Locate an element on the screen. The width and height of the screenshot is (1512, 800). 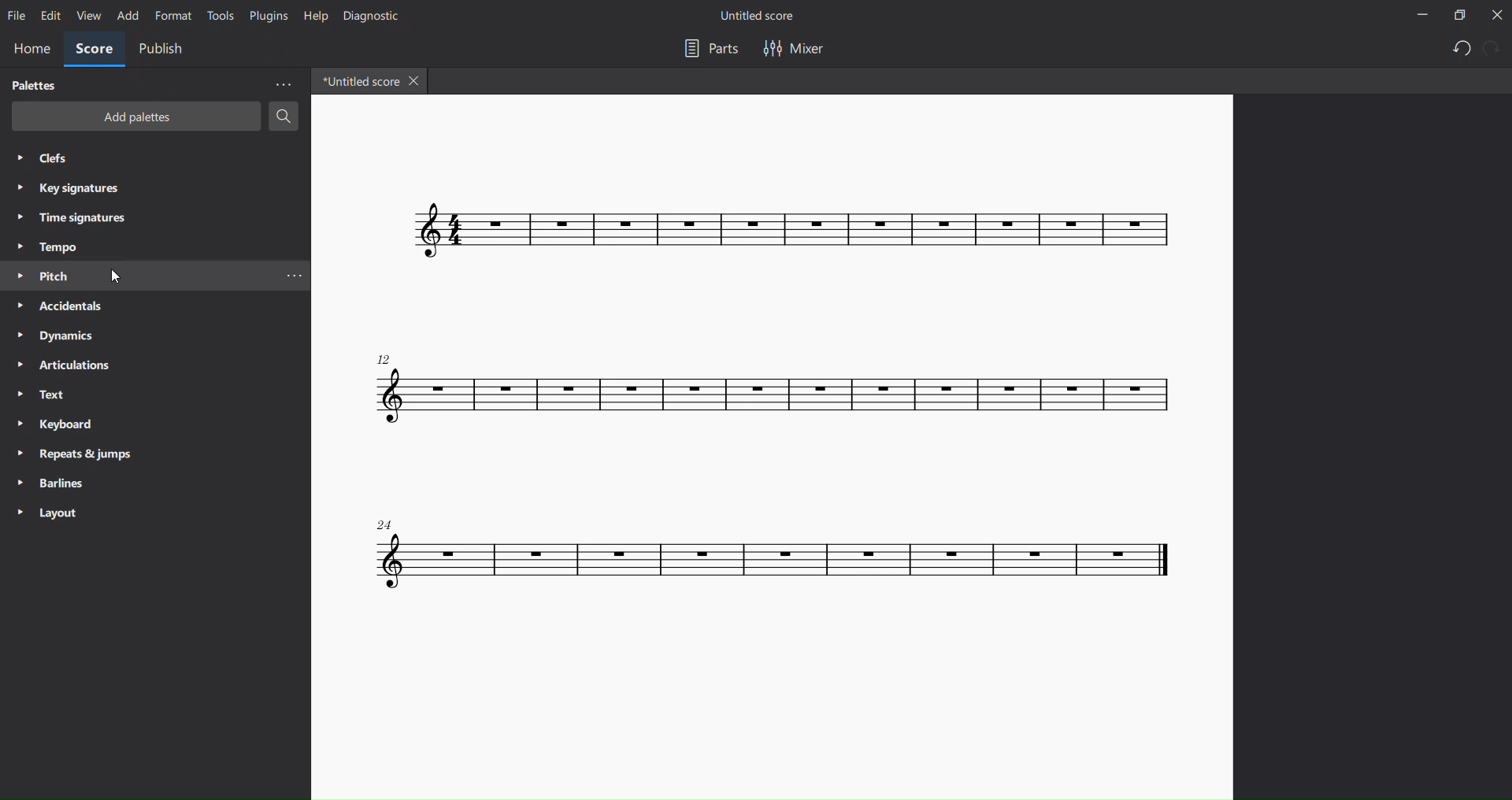
undo is located at coordinates (1459, 49).